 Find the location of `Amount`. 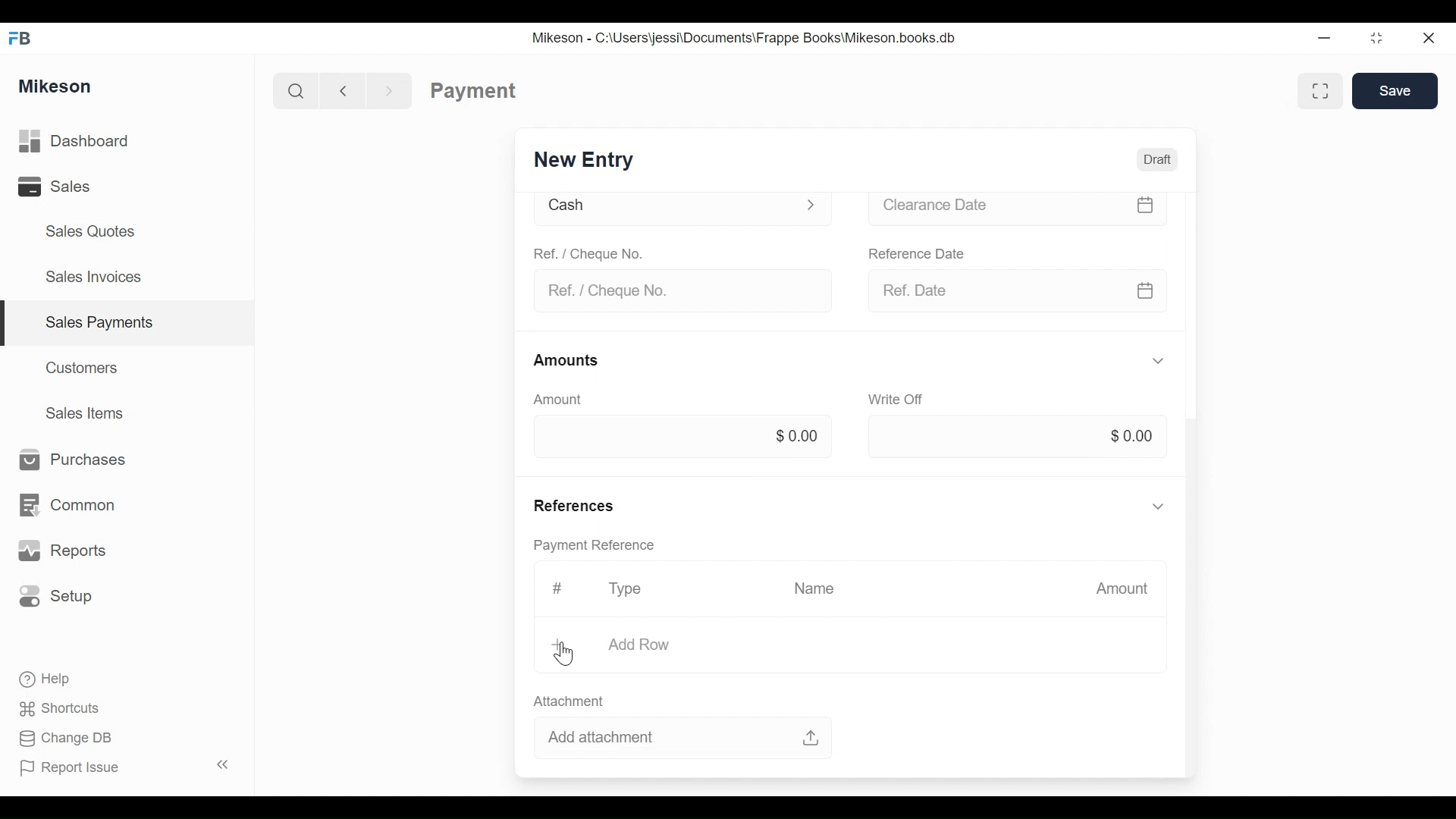

Amount is located at coordinates (555, 400).